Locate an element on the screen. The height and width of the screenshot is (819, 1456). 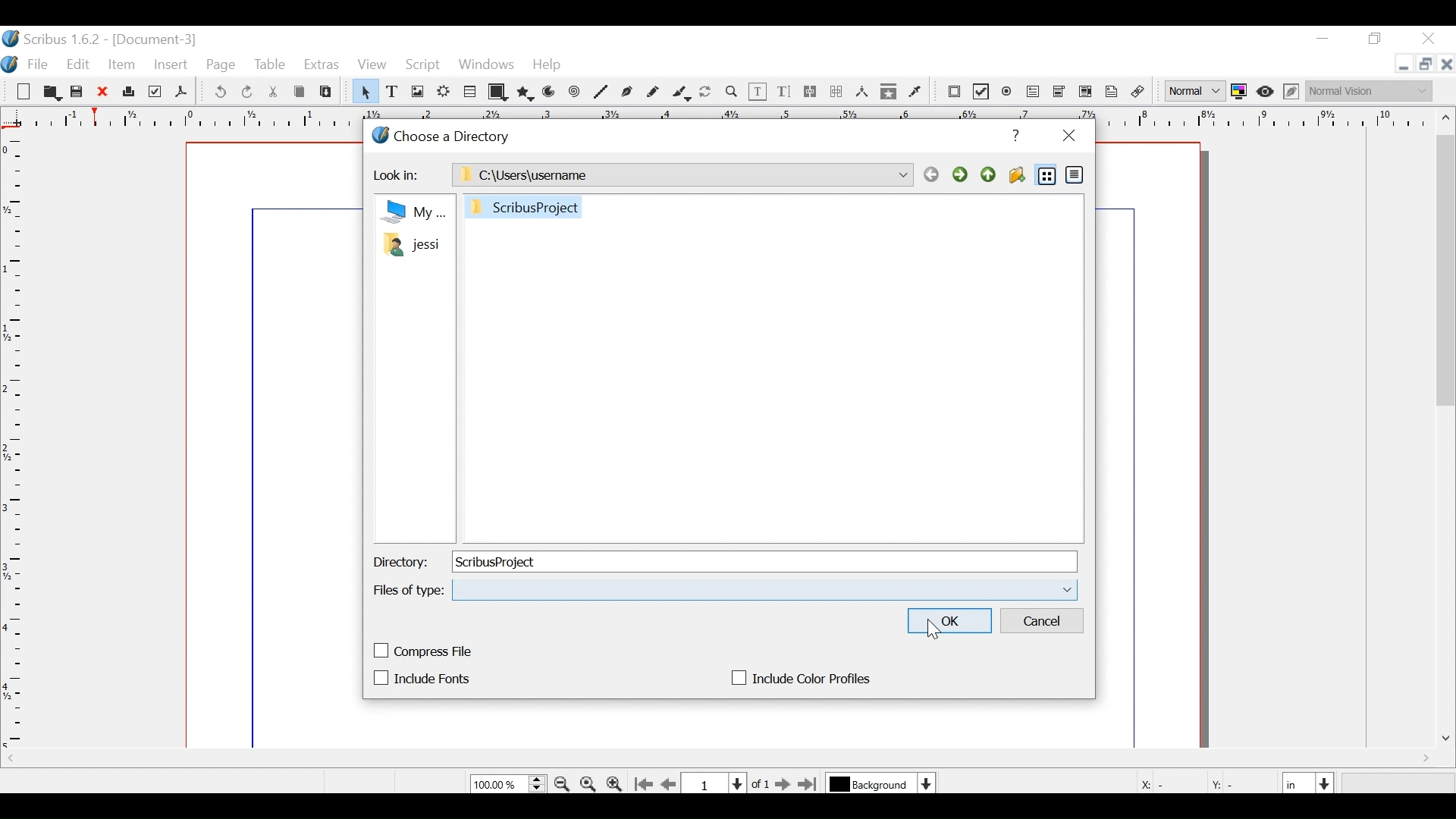
Close is located at coordinates (1434, 39).